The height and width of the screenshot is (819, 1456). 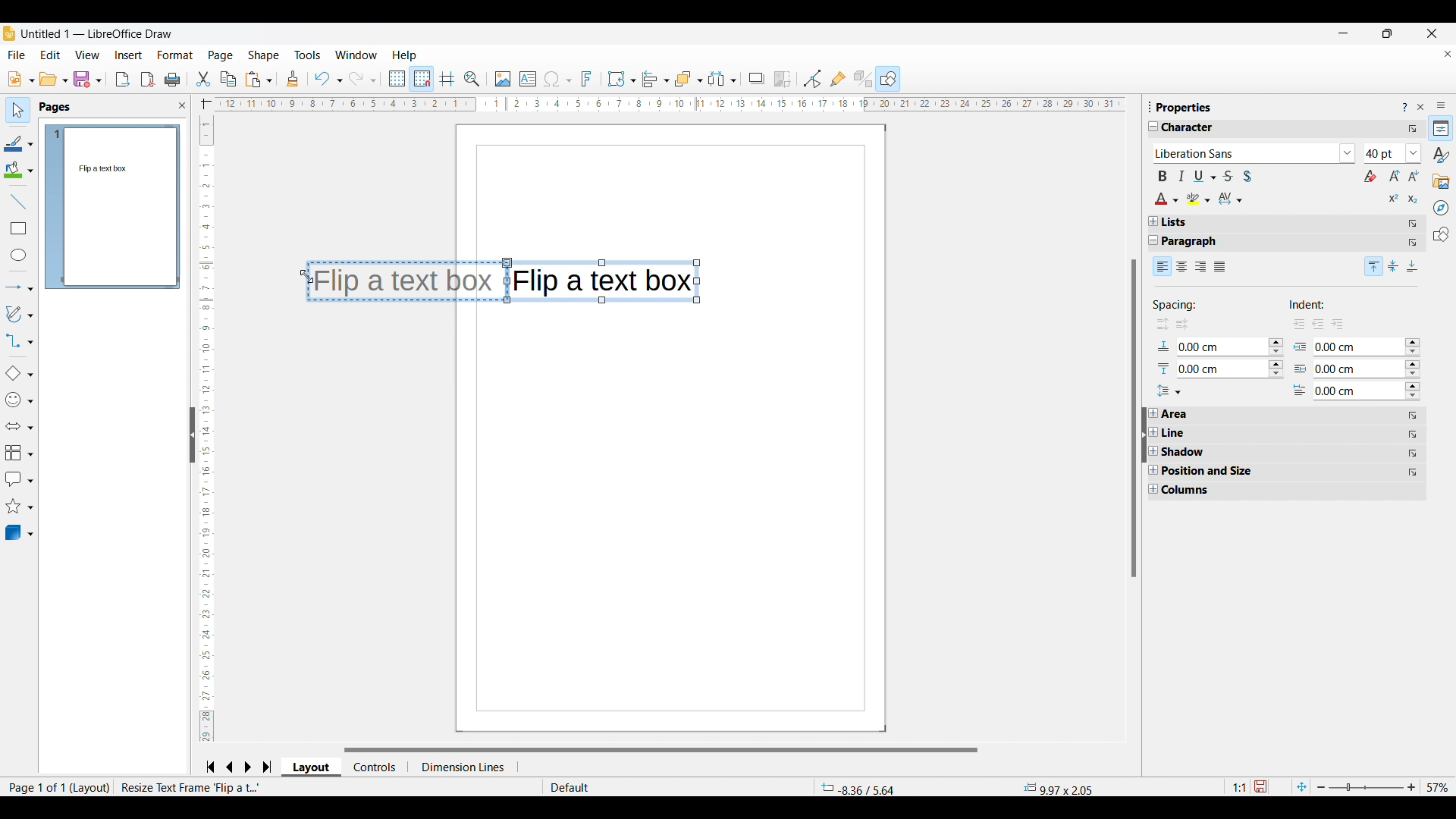 I want to click on Save options, so click(x=88, y=79).